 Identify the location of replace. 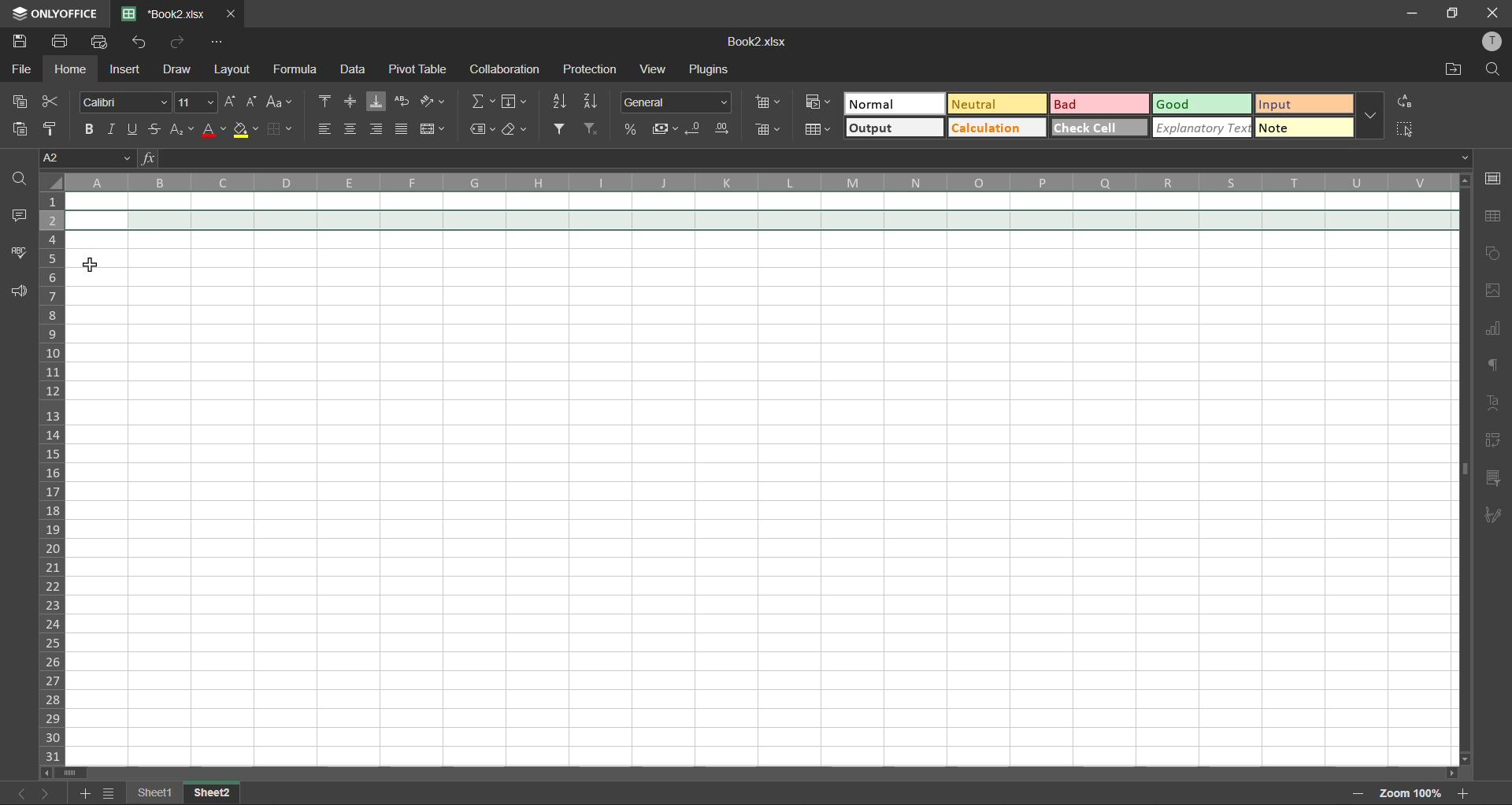
(1403, 102).